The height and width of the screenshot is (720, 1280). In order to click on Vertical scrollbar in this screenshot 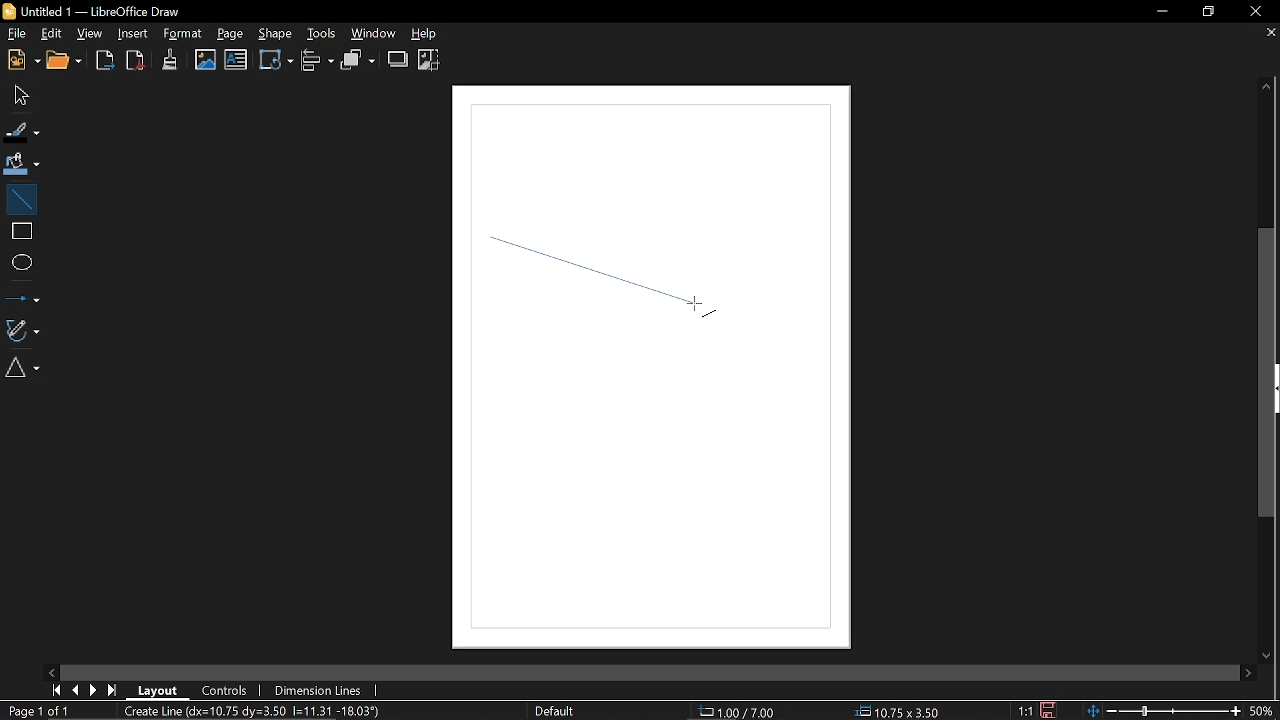, I will do `click(1270, 372)`.